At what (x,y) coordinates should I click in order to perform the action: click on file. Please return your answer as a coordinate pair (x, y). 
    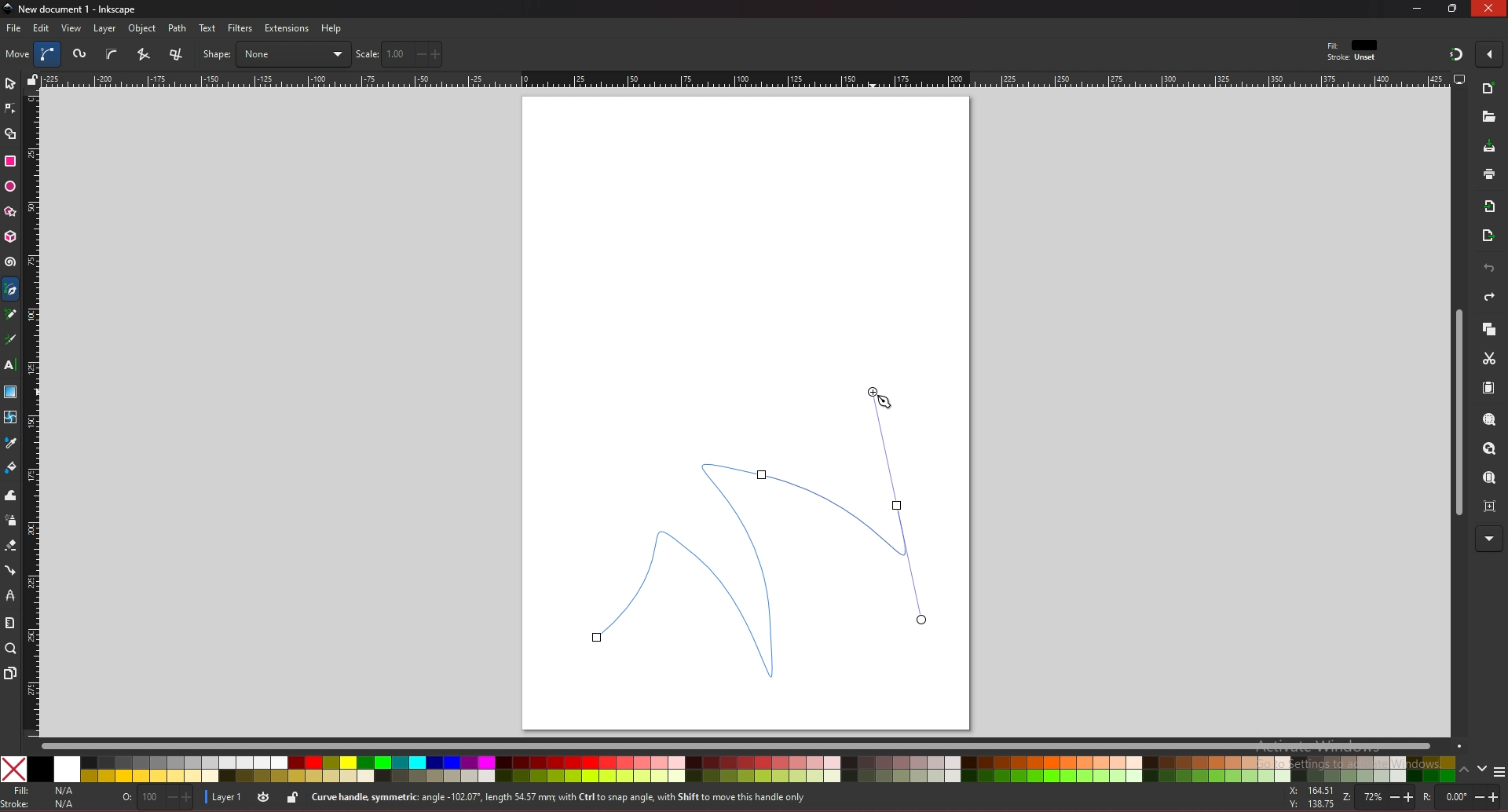
    Looking at the image, I should click on (13, 28).